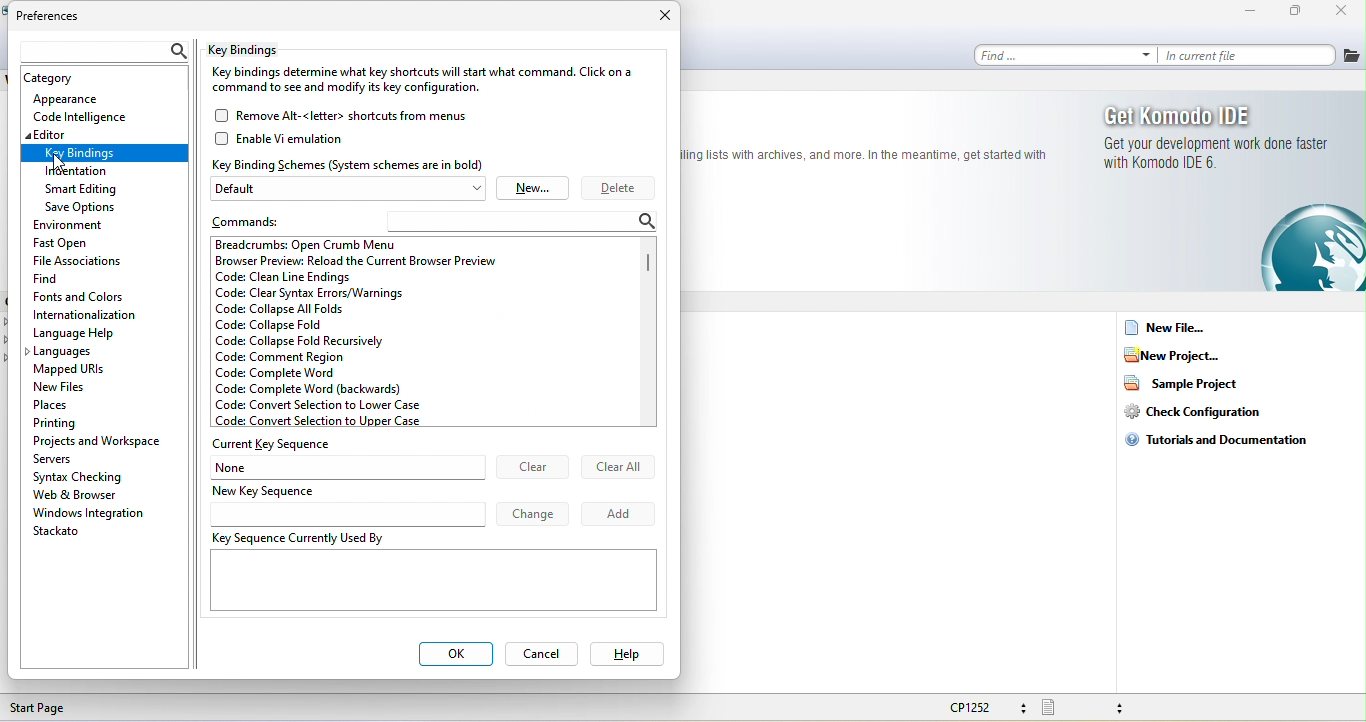  What do you see at coordinates (330, 244) in the screenshot?
I see `breadcrumbs open crumb menu` at bounding box center [330, 244].